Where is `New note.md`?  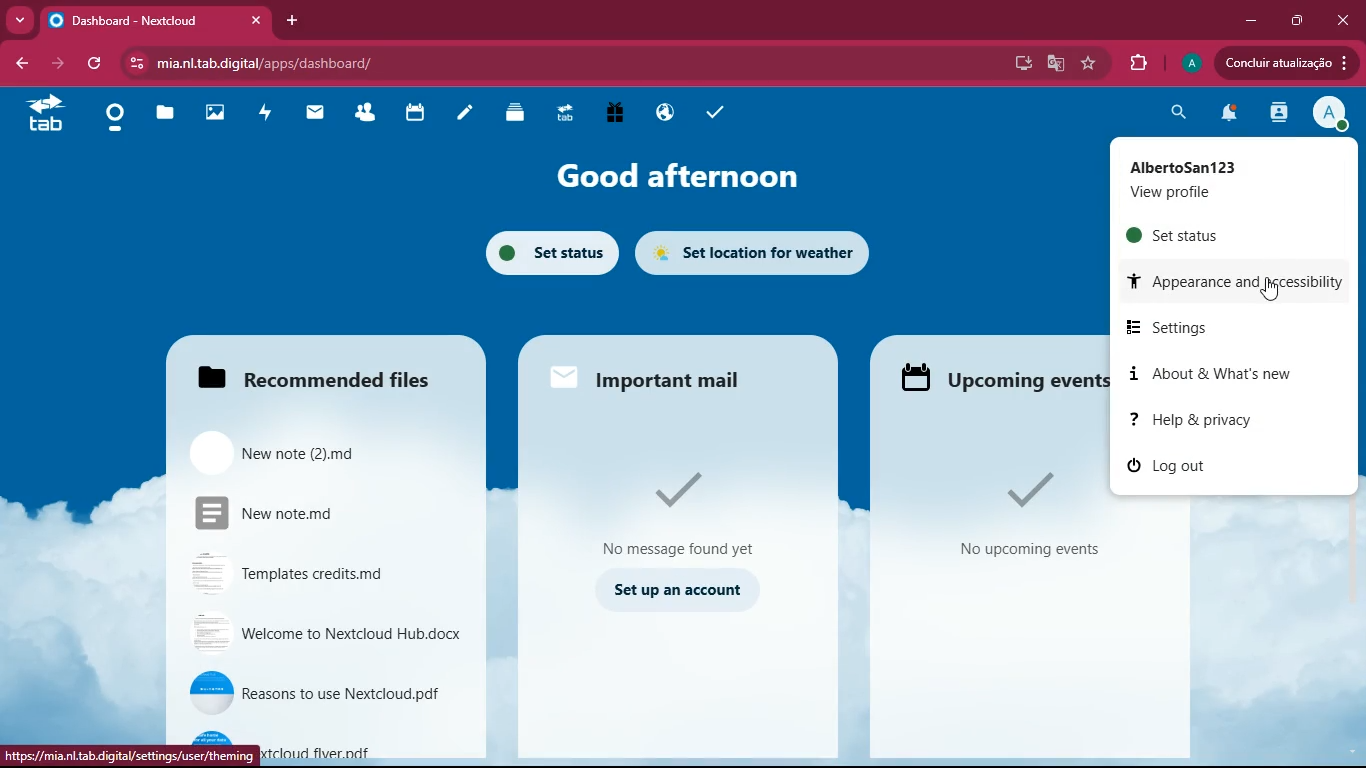 New note.md is located at coordinates (265, 513).